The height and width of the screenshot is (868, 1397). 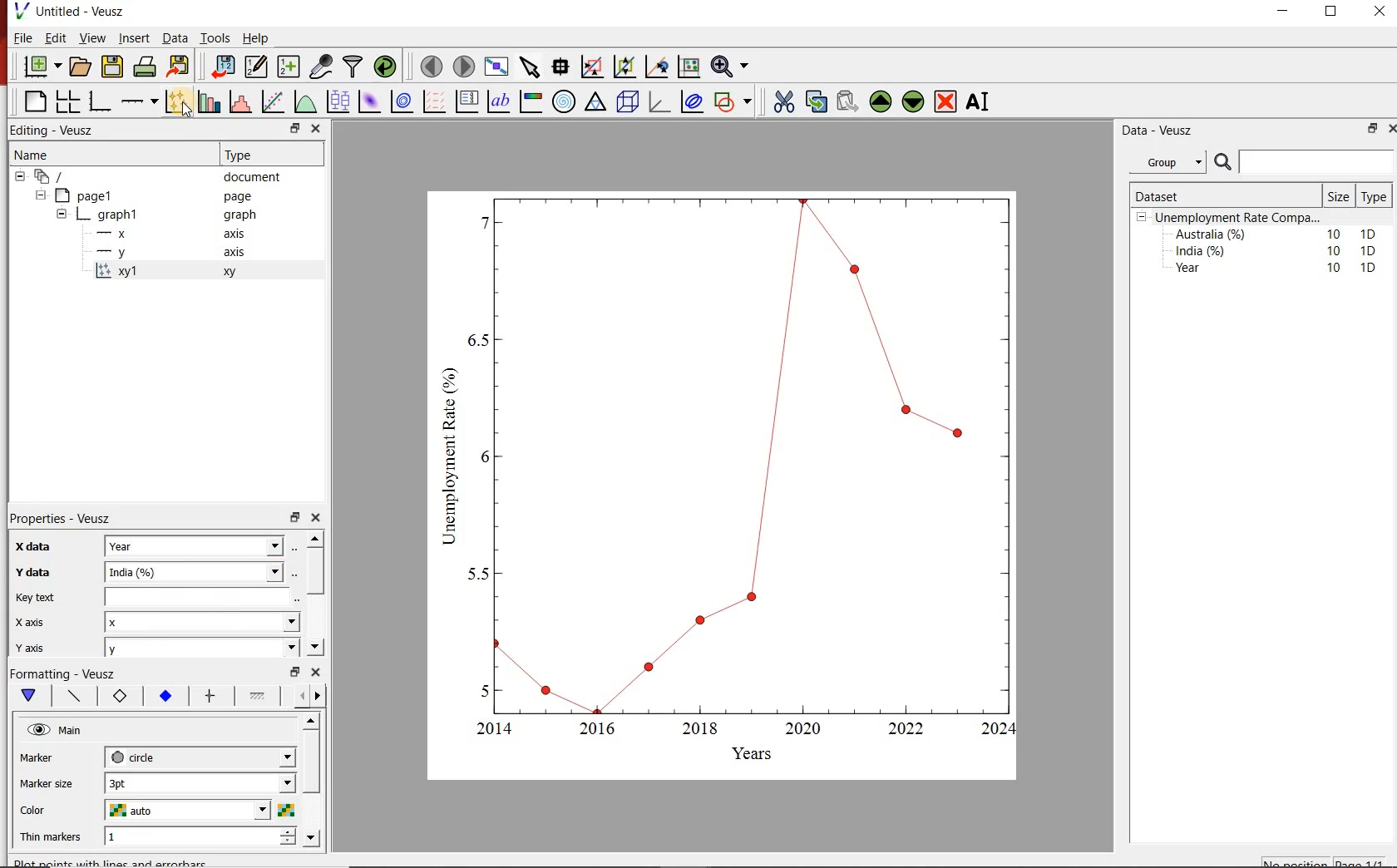 I want to click on plot covariance ellipses, so click(x=693, y=101).